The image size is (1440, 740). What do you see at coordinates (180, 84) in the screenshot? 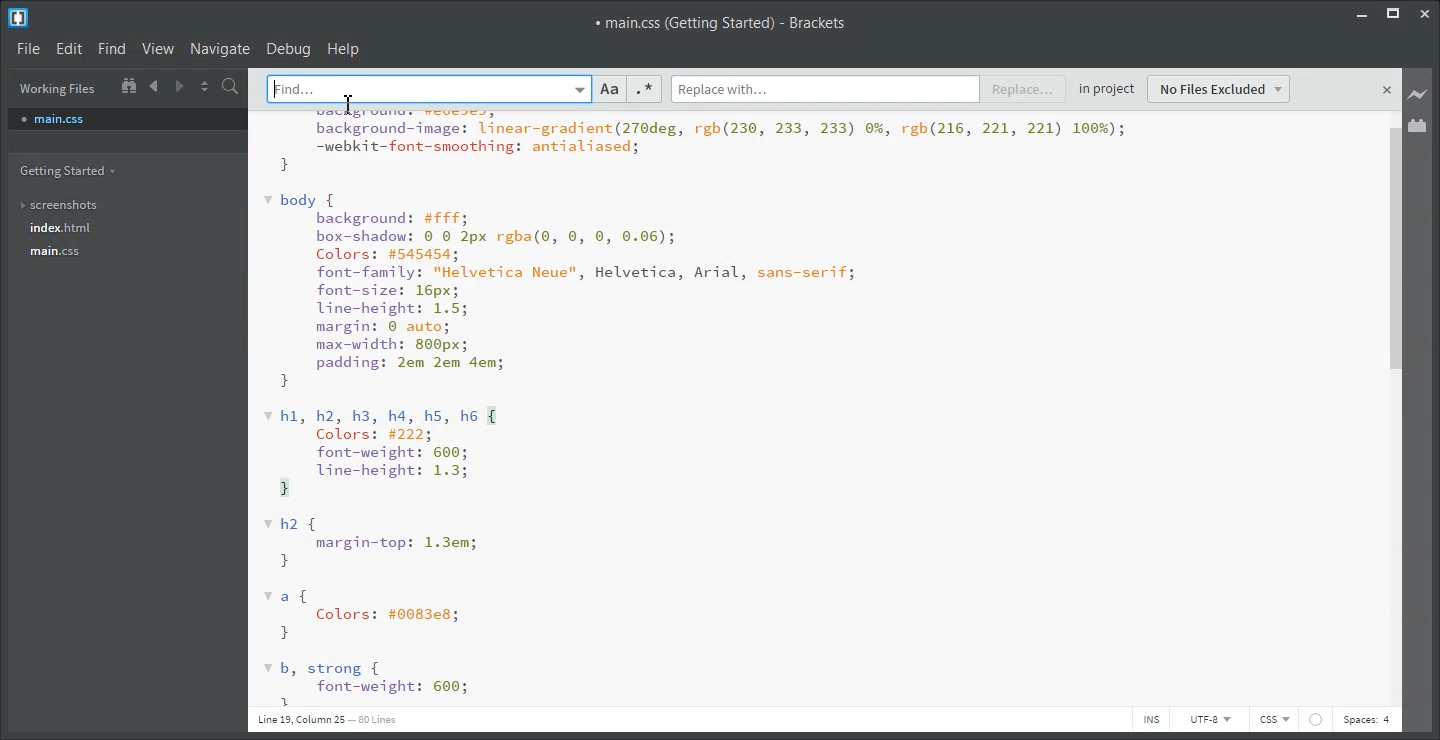
I see `Navigate Forward` at bounding box center [180, 84].